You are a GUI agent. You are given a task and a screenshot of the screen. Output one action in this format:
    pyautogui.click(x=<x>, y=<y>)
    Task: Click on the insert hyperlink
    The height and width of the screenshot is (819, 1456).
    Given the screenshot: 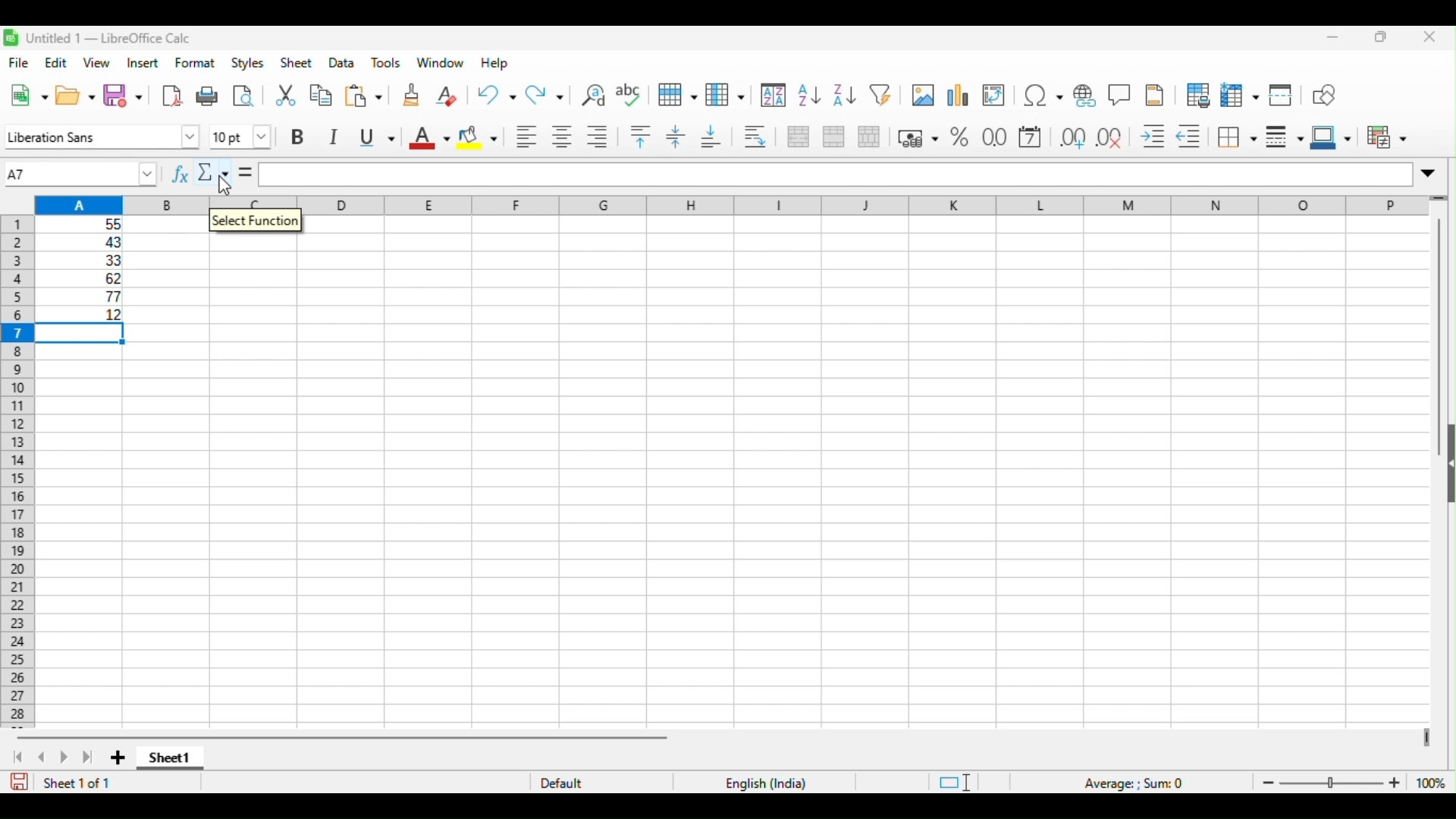 What is the action you would take?
    pyautogui.click(x=1087, y=93)
    